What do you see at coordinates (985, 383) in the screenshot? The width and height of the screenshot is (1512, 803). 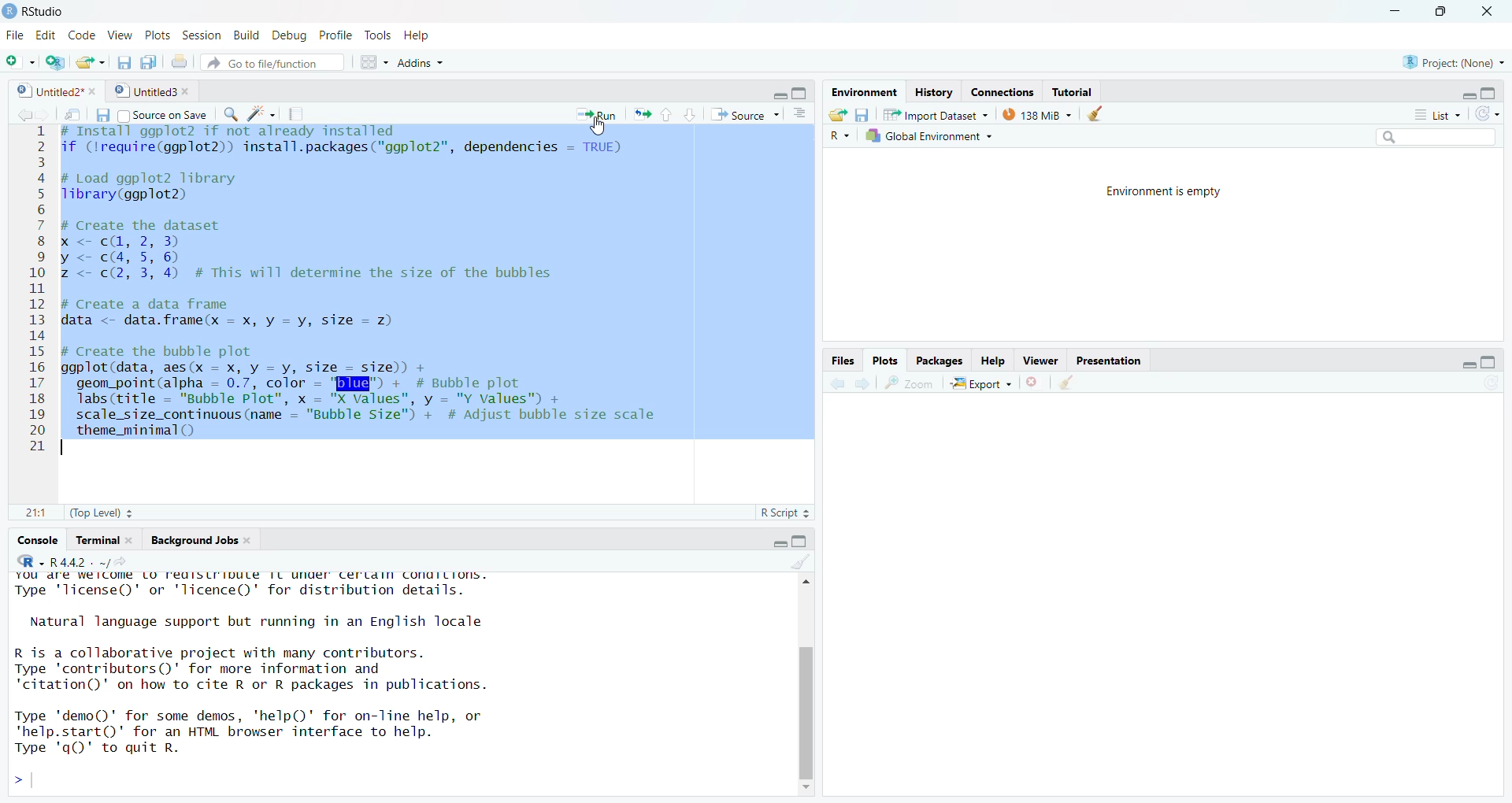 I see `~& Export +` at bounding box center [985, 383].